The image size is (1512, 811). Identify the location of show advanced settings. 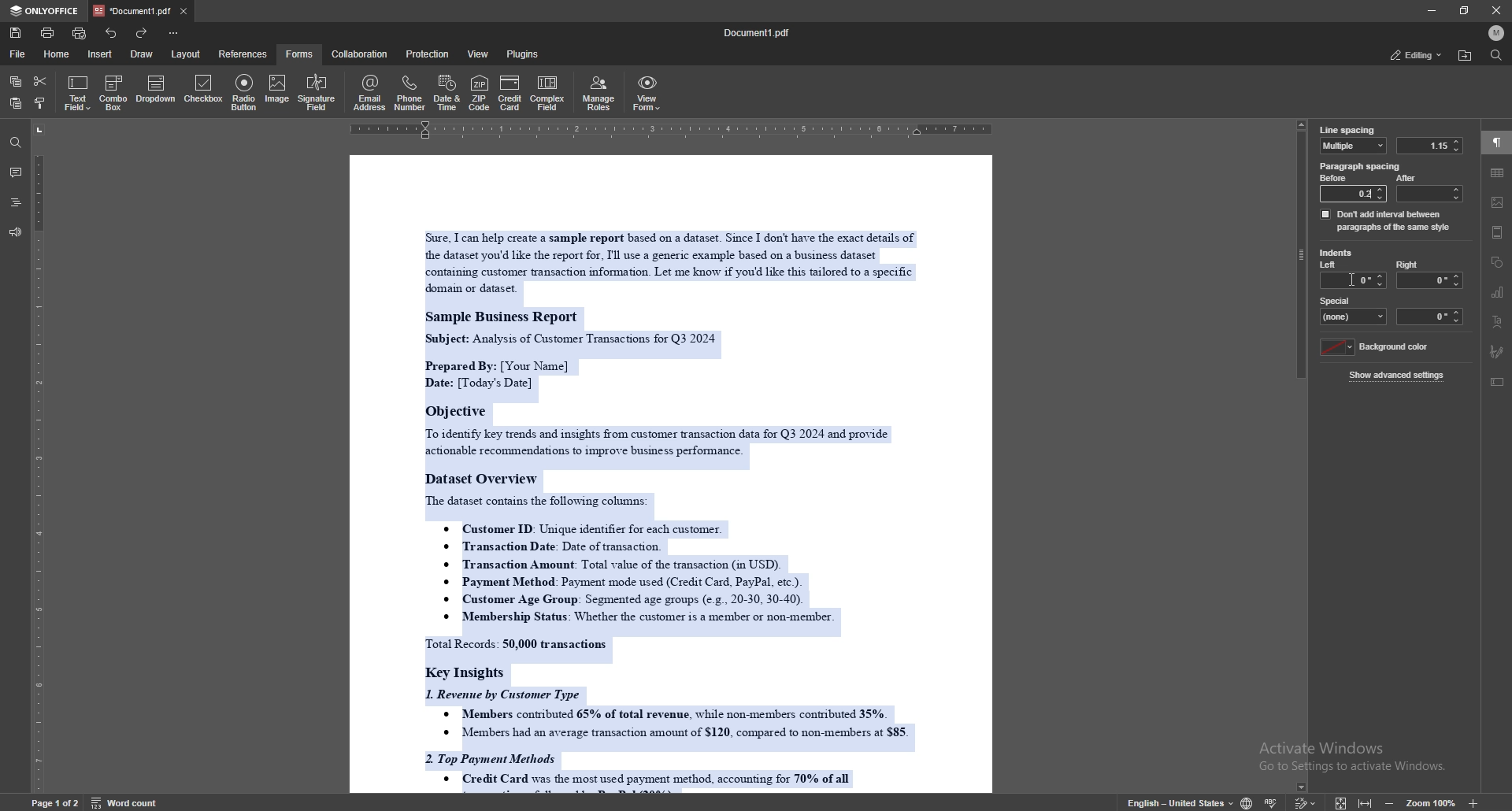
(1399, 375).